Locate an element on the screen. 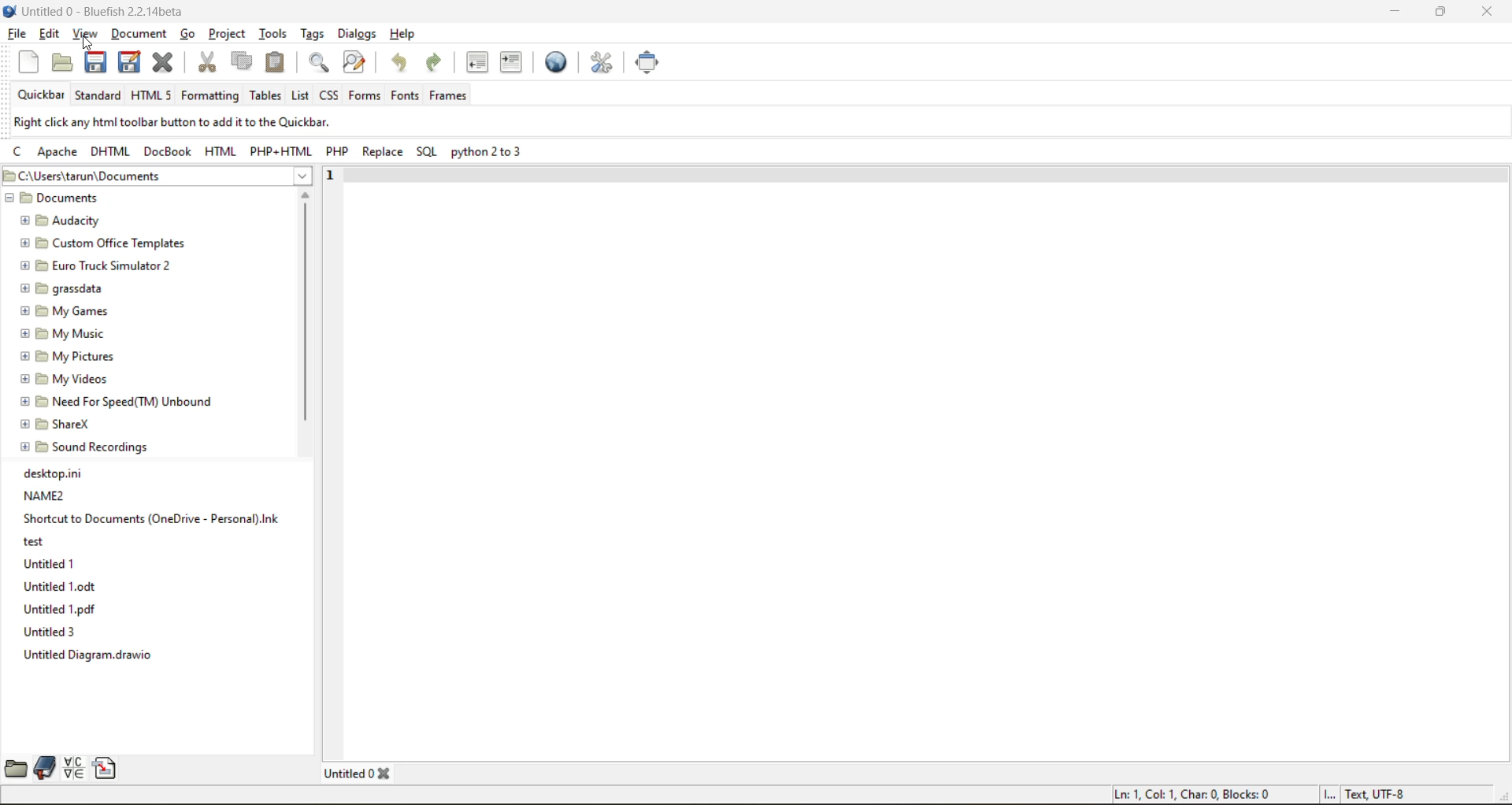  1 is located at coordinates (327, 176).